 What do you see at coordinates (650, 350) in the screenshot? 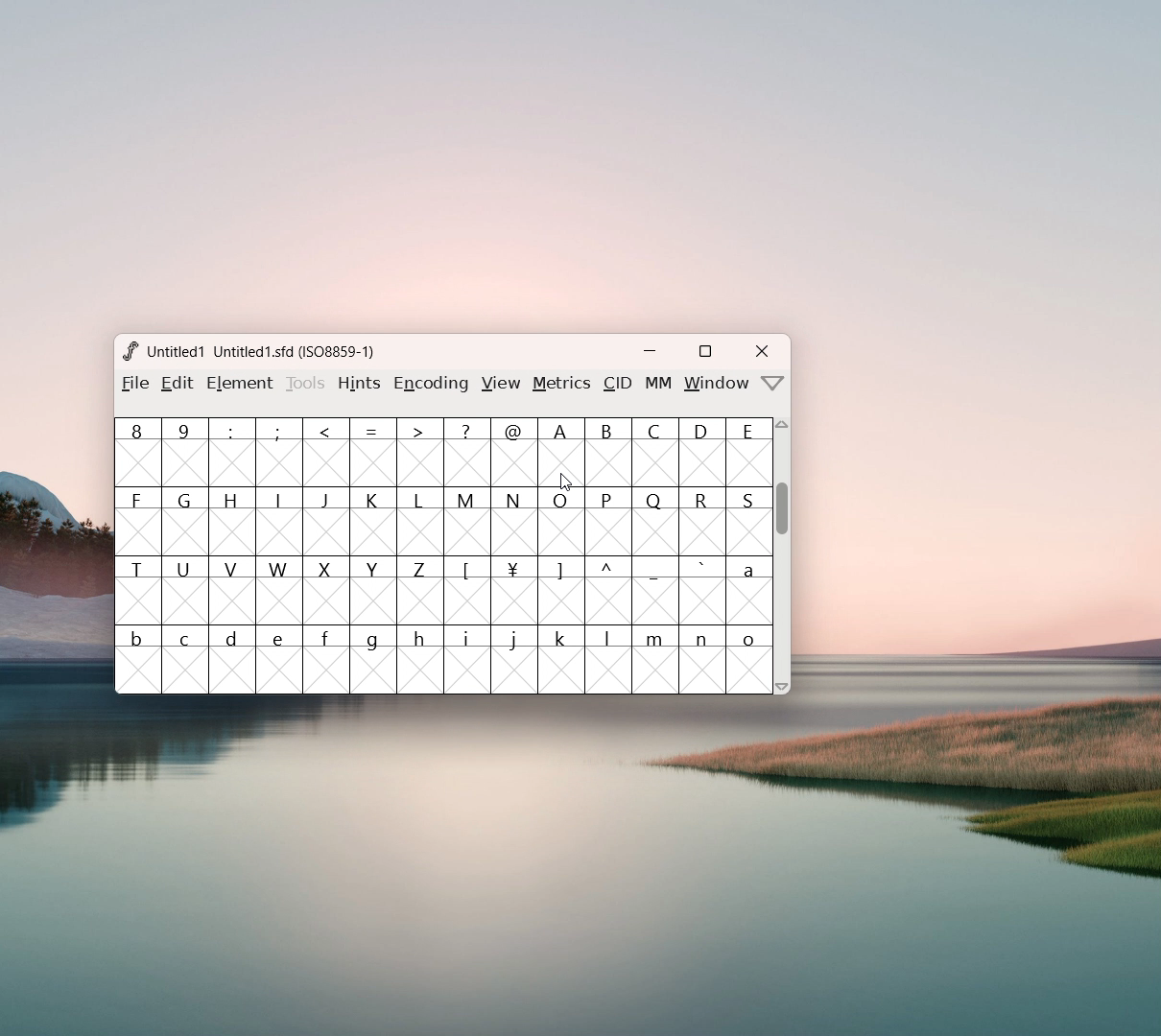
I see `minimize` at bounding box center [650, 350].